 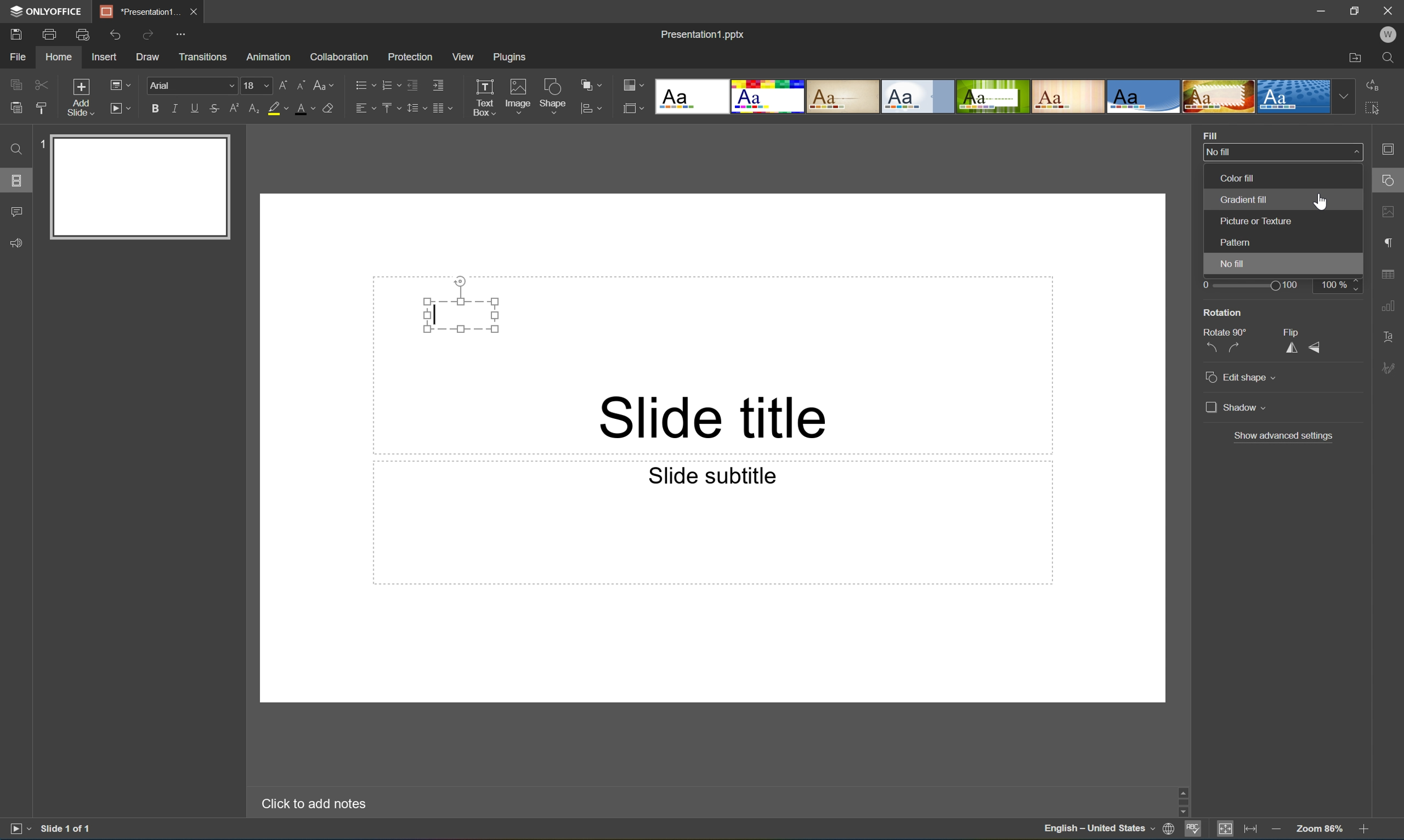 I want to click on Select all, so click(x=1376, y=112).